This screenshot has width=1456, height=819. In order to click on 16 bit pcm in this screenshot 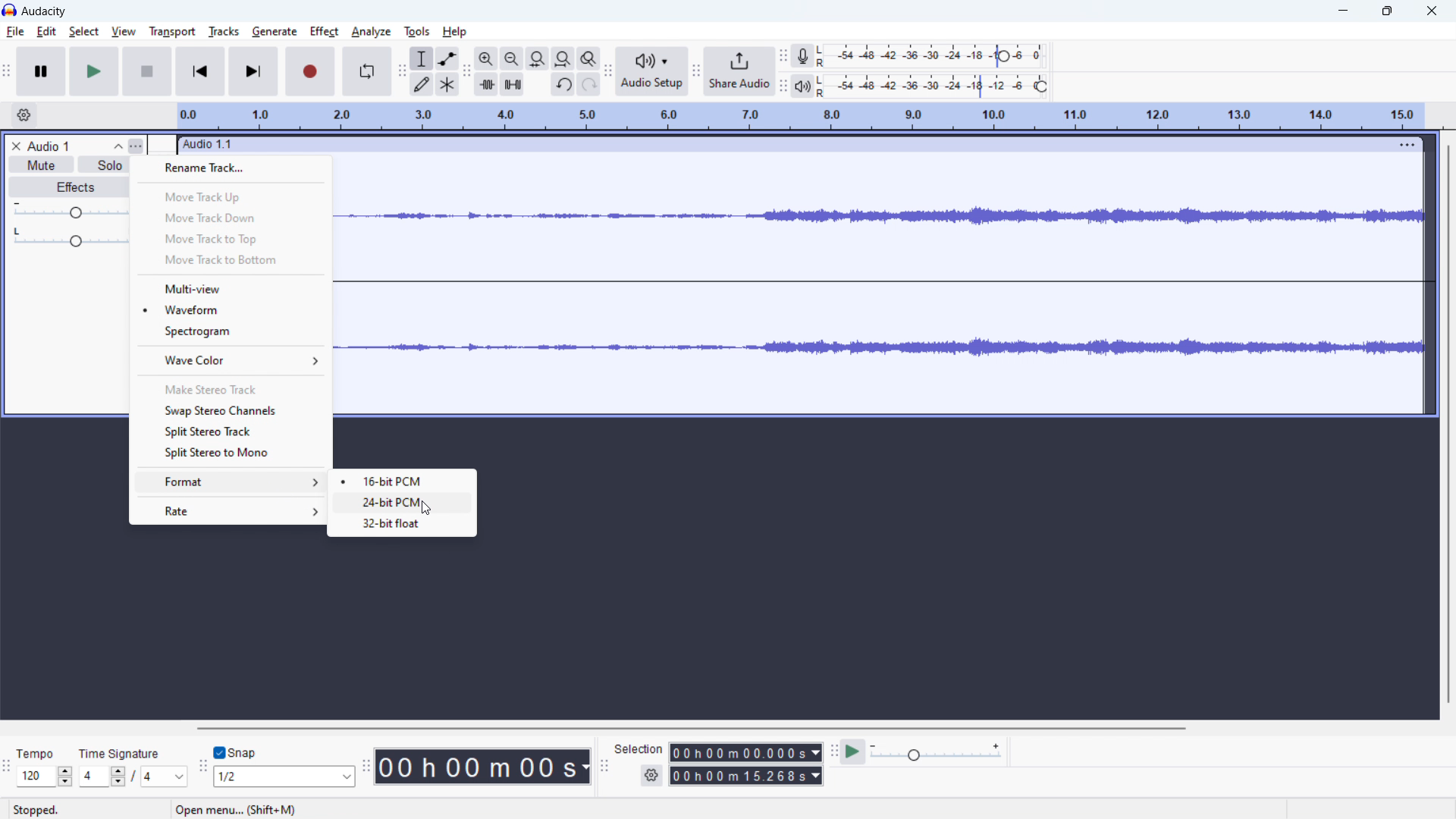, I will do `click(402, 482)`.